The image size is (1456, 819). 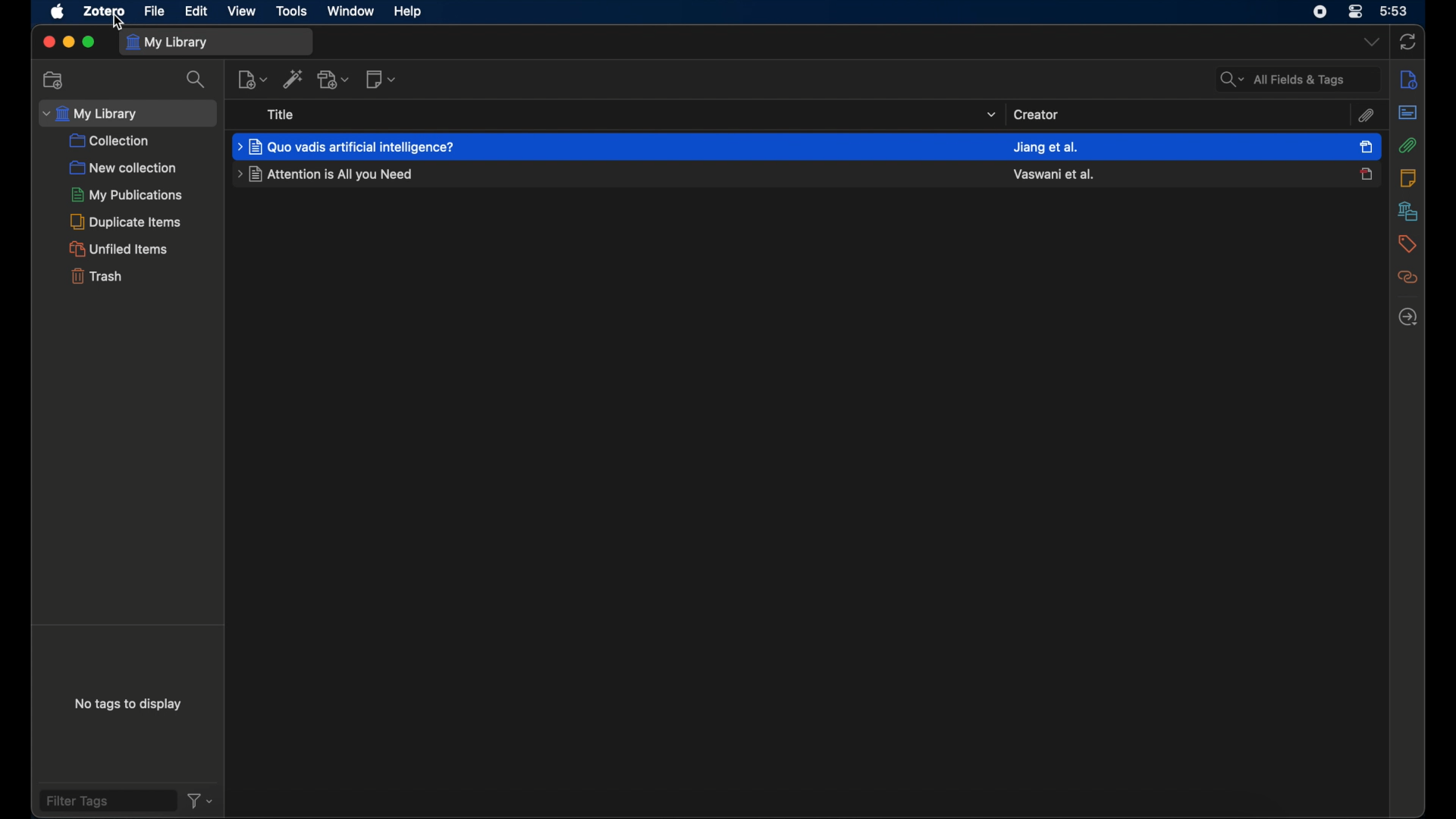 I want to click on control center, so click(x=1319, y=12).